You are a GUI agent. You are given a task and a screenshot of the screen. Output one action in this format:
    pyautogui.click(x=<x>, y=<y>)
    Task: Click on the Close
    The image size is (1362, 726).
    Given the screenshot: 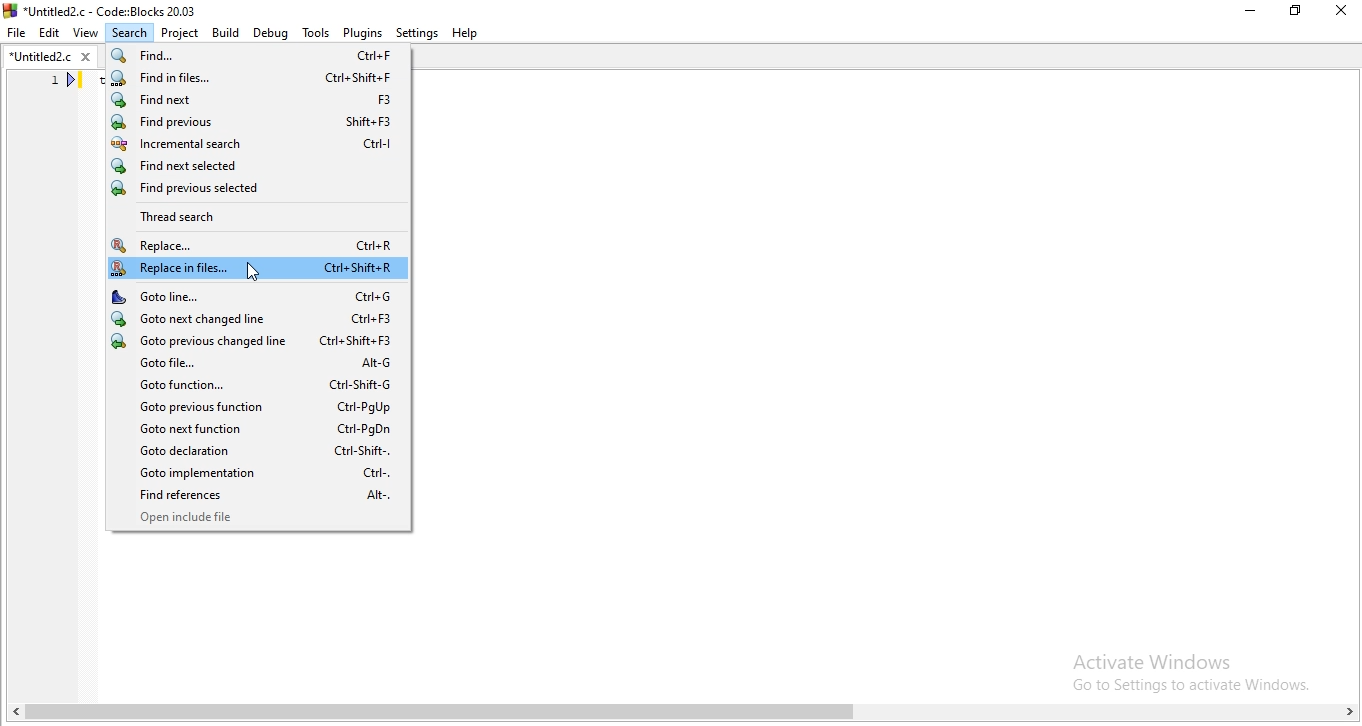 What is the action you would take?
    pyautogui.click(x=1343, y=12)
    